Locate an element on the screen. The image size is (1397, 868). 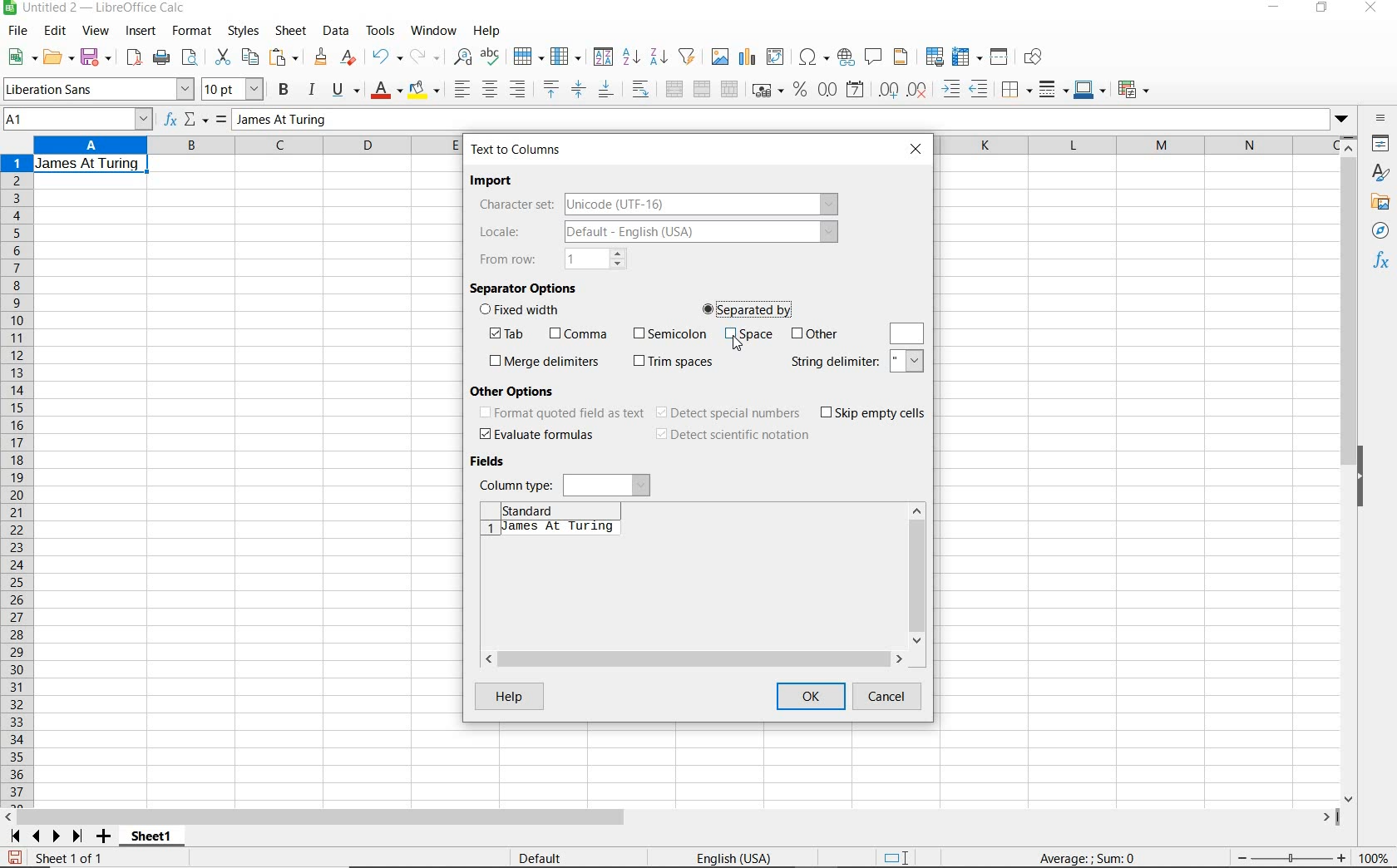
help is located at coordinates (487, 31).